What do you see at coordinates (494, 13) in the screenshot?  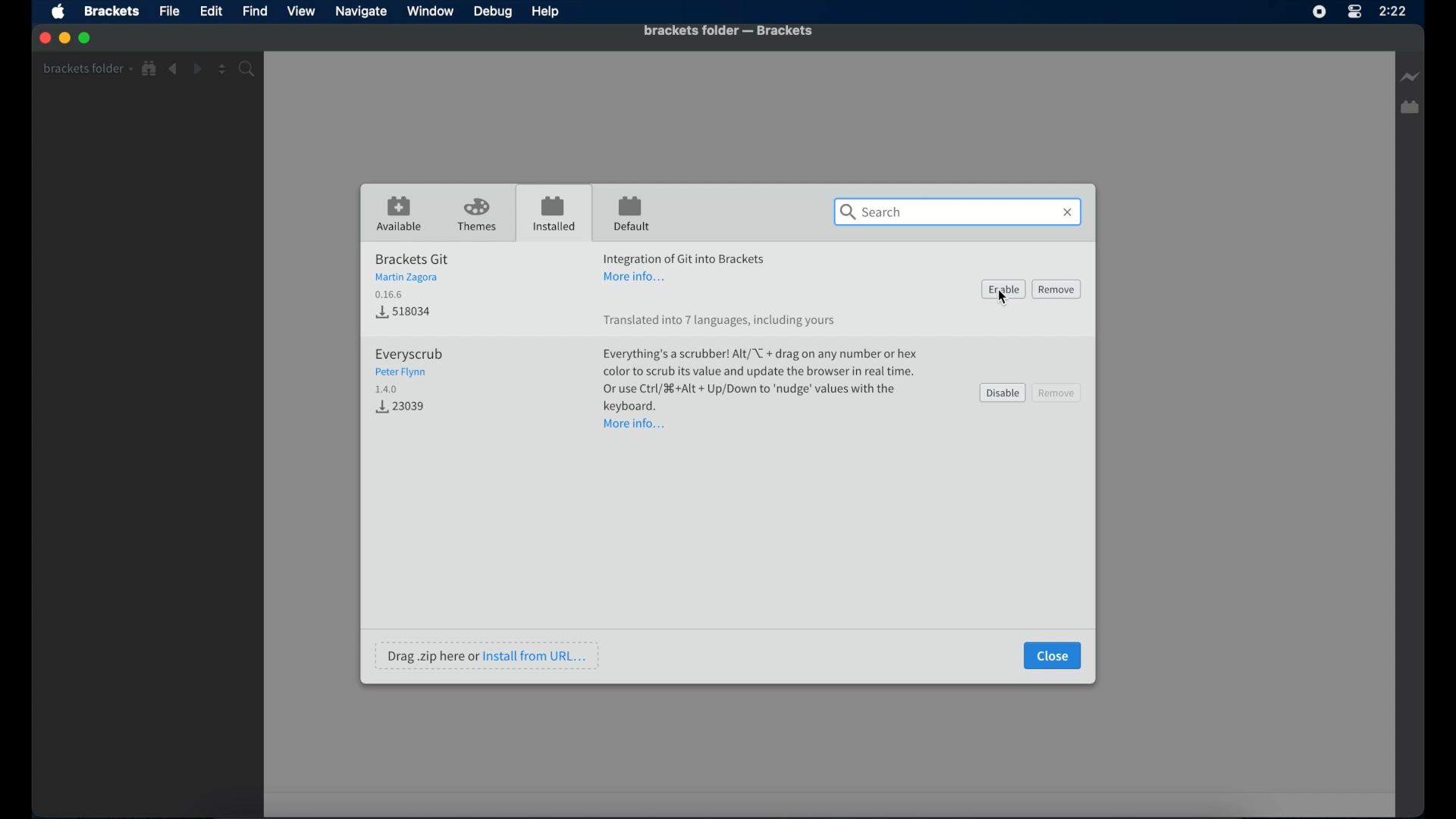 I see `debug` at bounding box center [494, 13].